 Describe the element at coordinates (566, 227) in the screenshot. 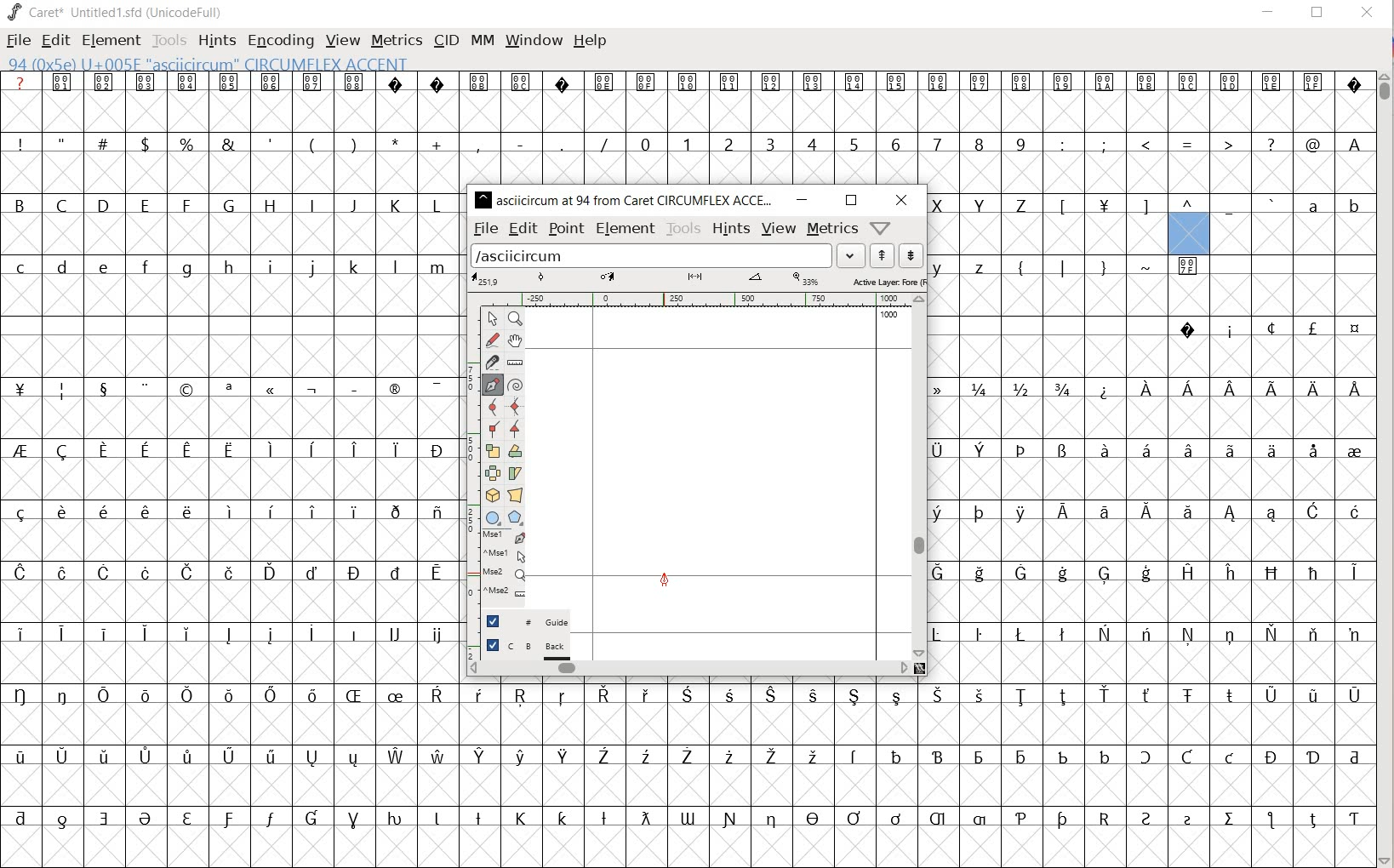

I see `point` at that location.